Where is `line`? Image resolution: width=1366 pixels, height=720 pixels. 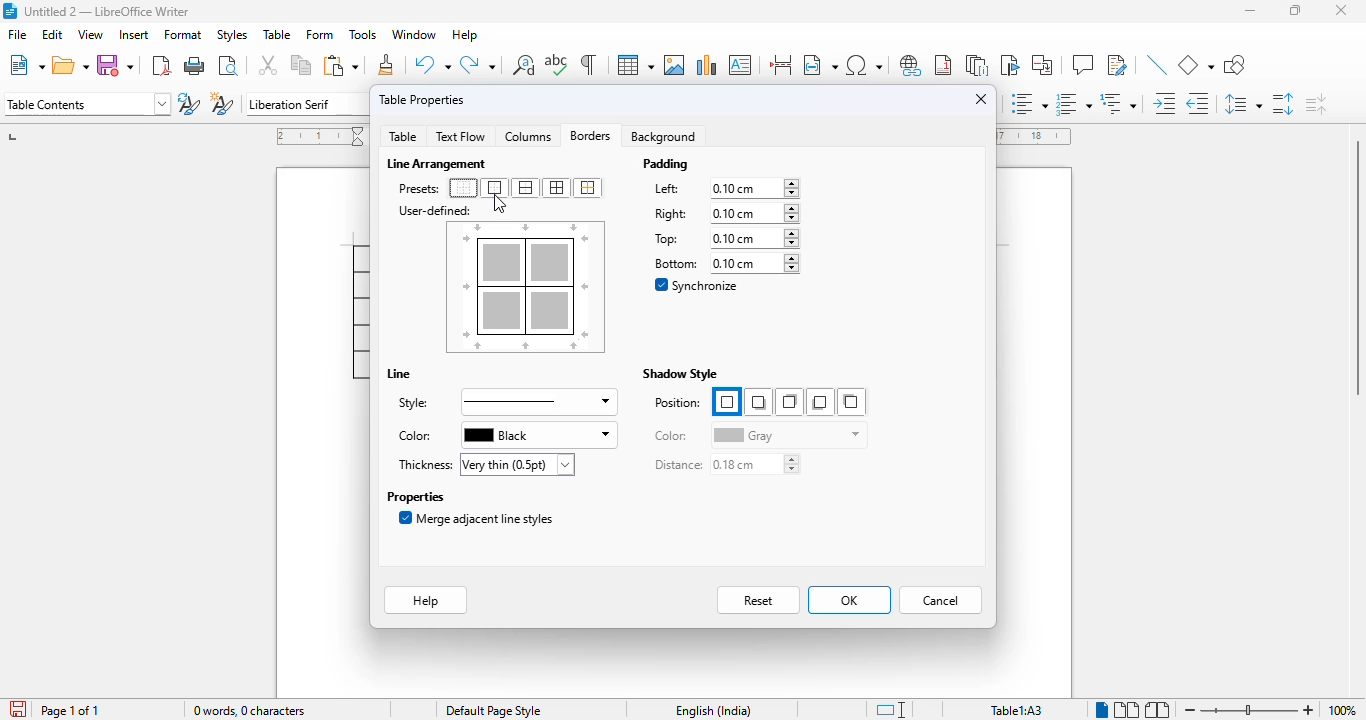
line is located at coordinates (399, 374).